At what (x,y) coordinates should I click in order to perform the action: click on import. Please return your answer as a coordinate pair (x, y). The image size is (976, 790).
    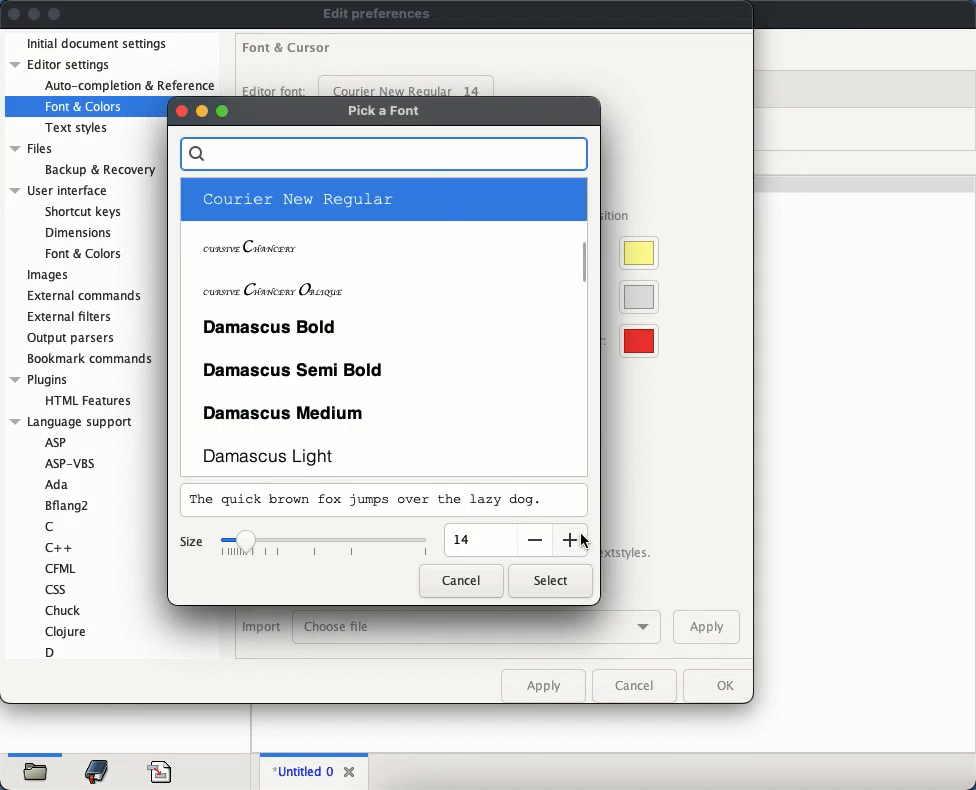
    Looking at the image, I should click on (261, 628).